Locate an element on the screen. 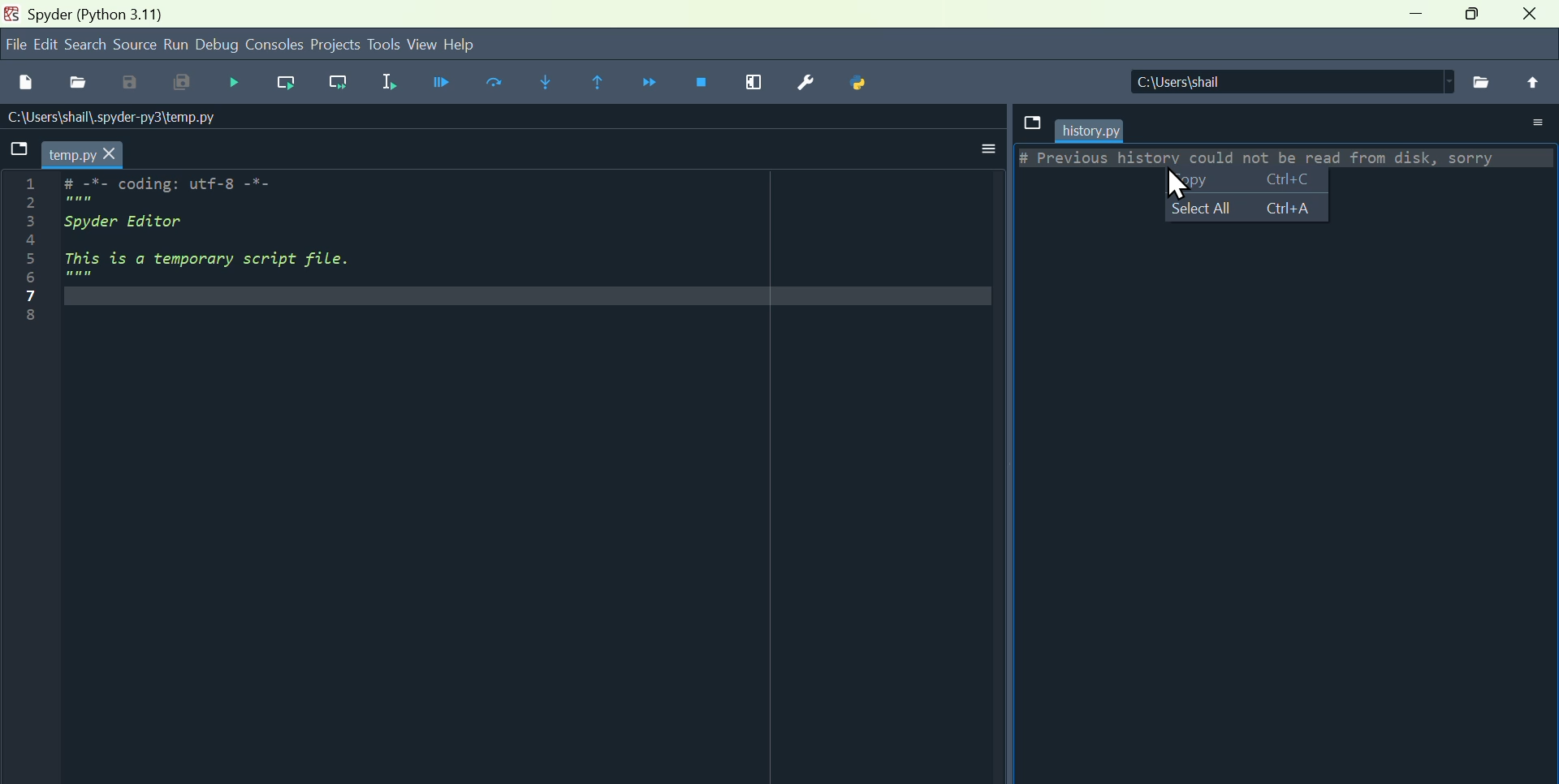 The image size is (1559, 784). Cursor is located at coordinates (1183, 186).